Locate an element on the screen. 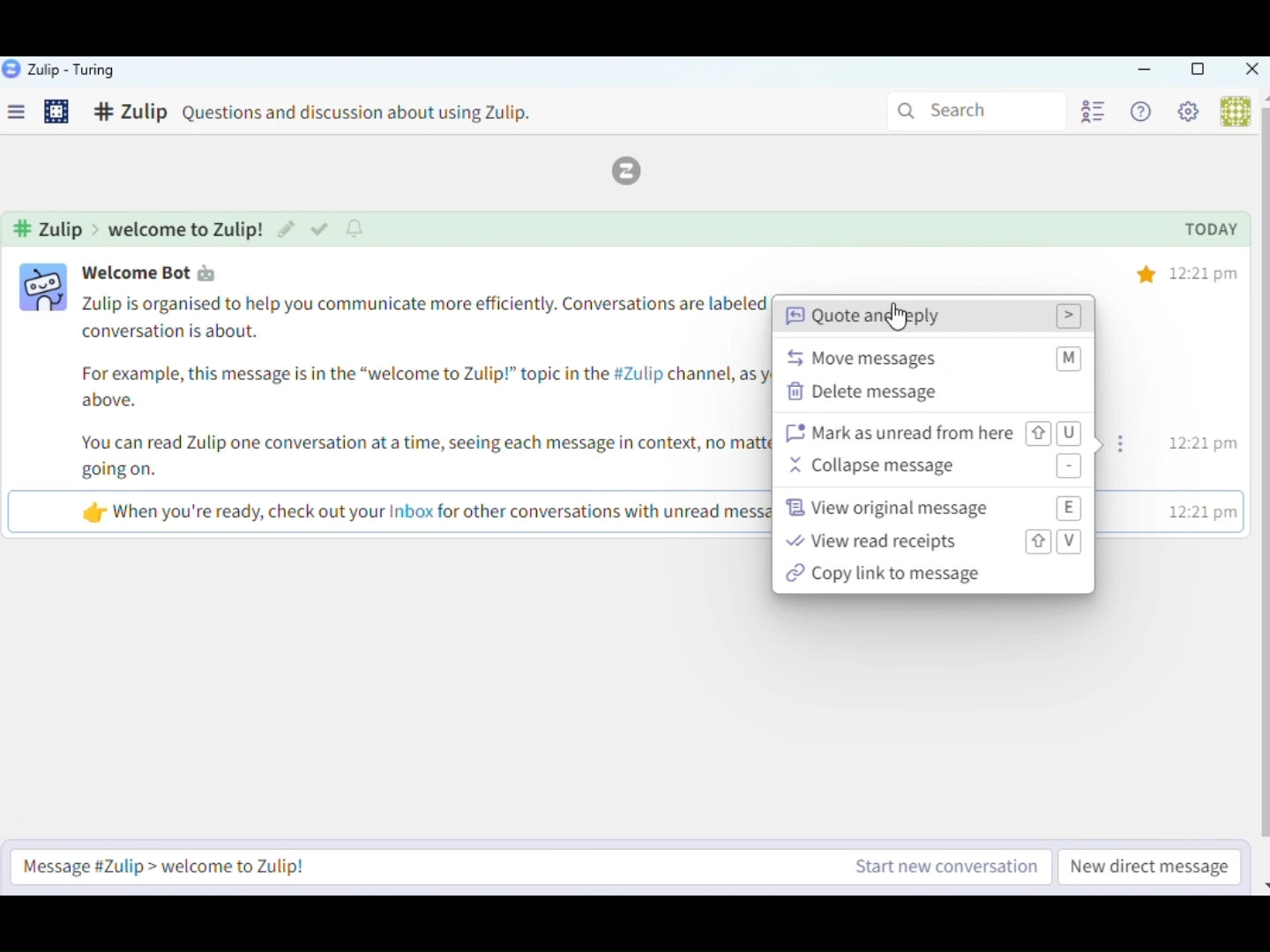 This screenshot has width=1270, height=952. Delete message is located at coordinates (932, 394).